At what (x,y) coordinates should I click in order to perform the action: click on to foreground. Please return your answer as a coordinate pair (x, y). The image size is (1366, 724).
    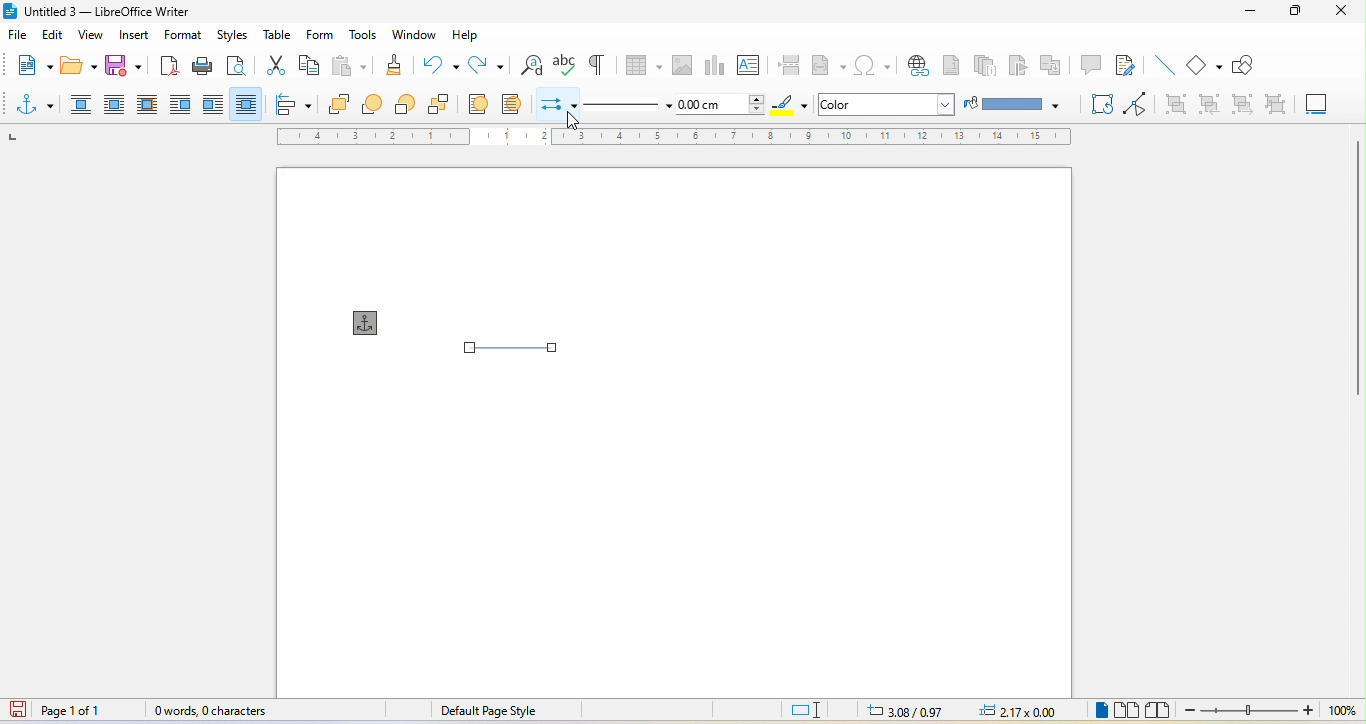
    Looking at the image, I should click on (480, 103).